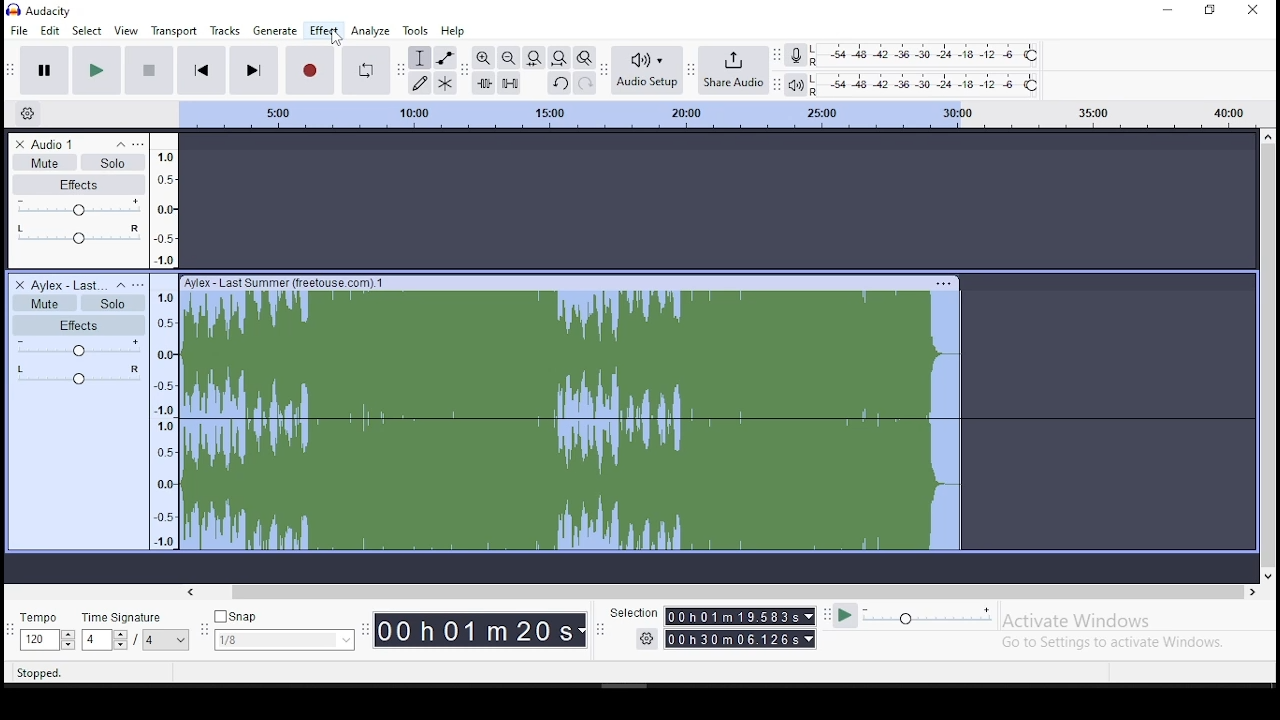 The height and width of the screenshot is (720, 1280). I want to click on tools, so click(416, 31).